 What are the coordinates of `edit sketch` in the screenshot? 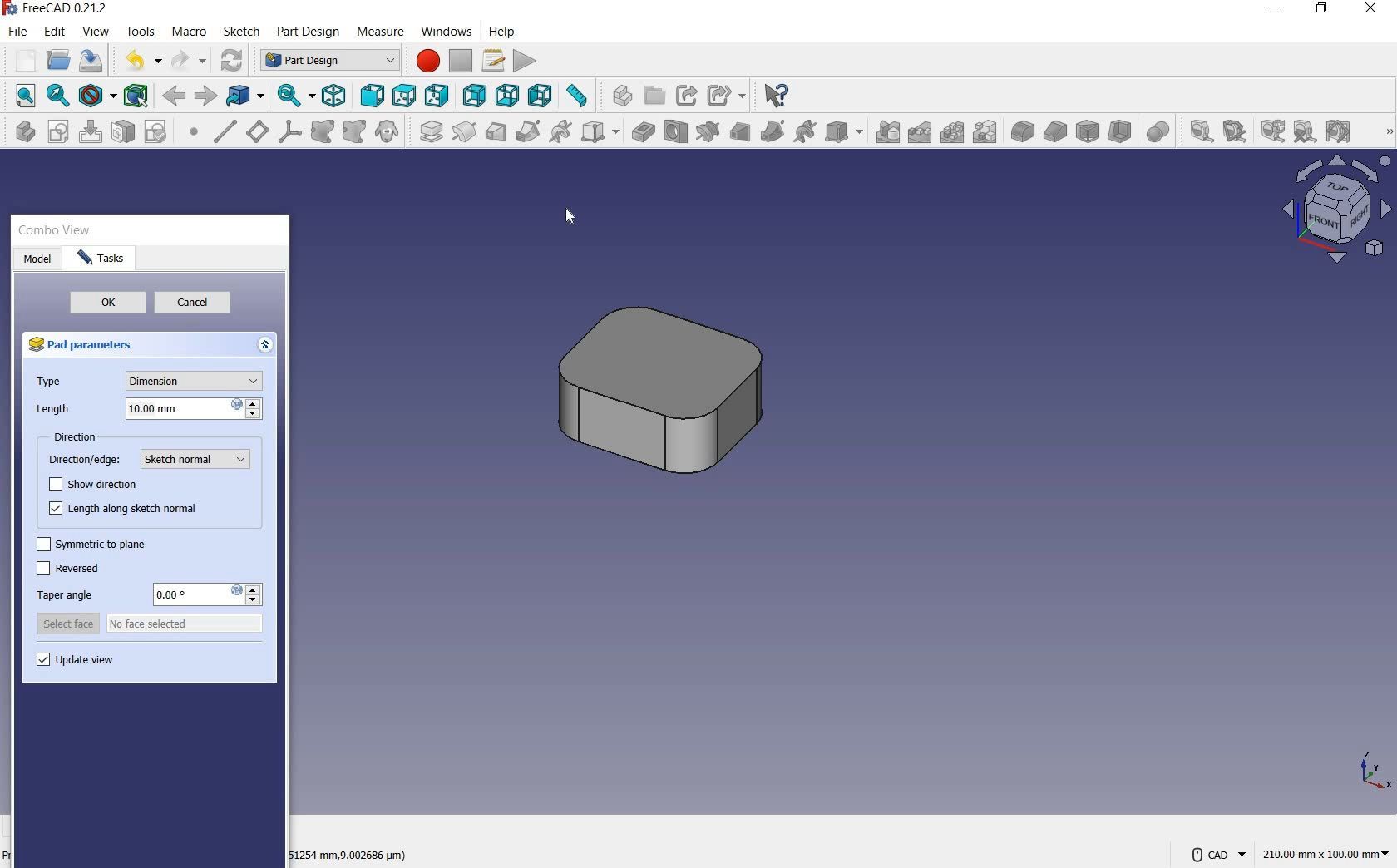 It's located at (92, 133).